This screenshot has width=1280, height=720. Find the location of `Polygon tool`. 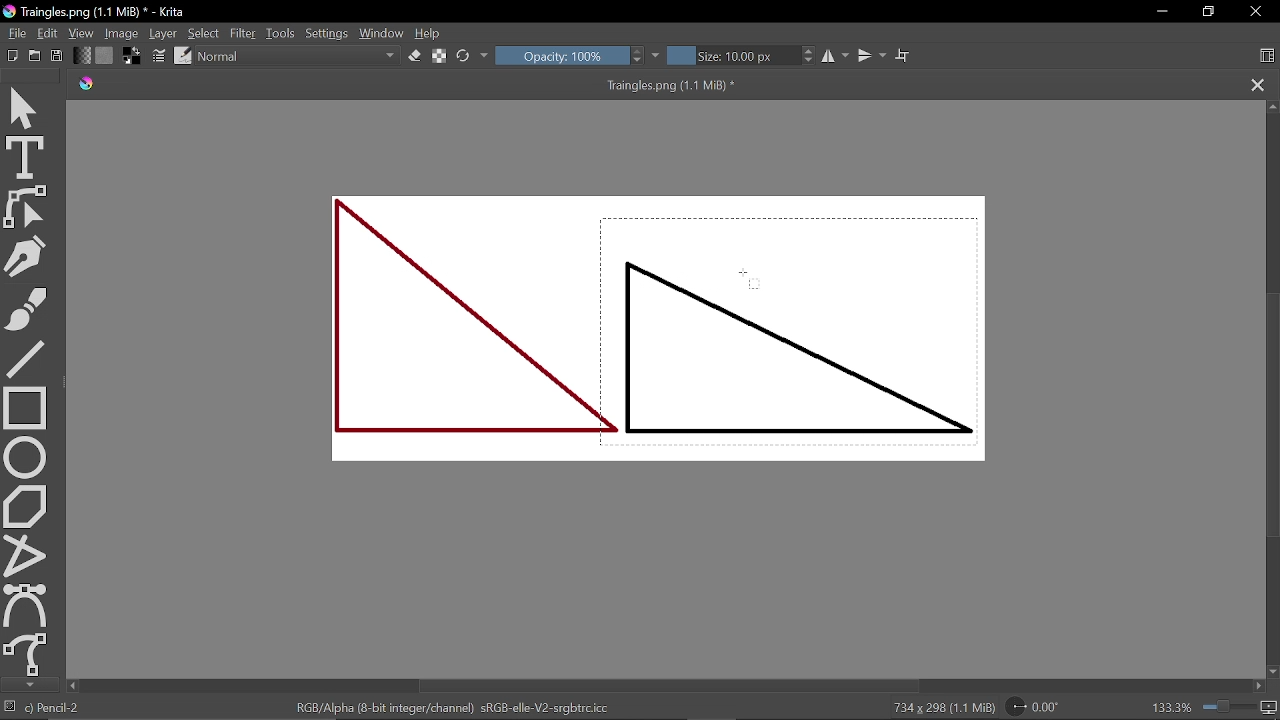

Polygon tool is located at coordinates (28, 505).